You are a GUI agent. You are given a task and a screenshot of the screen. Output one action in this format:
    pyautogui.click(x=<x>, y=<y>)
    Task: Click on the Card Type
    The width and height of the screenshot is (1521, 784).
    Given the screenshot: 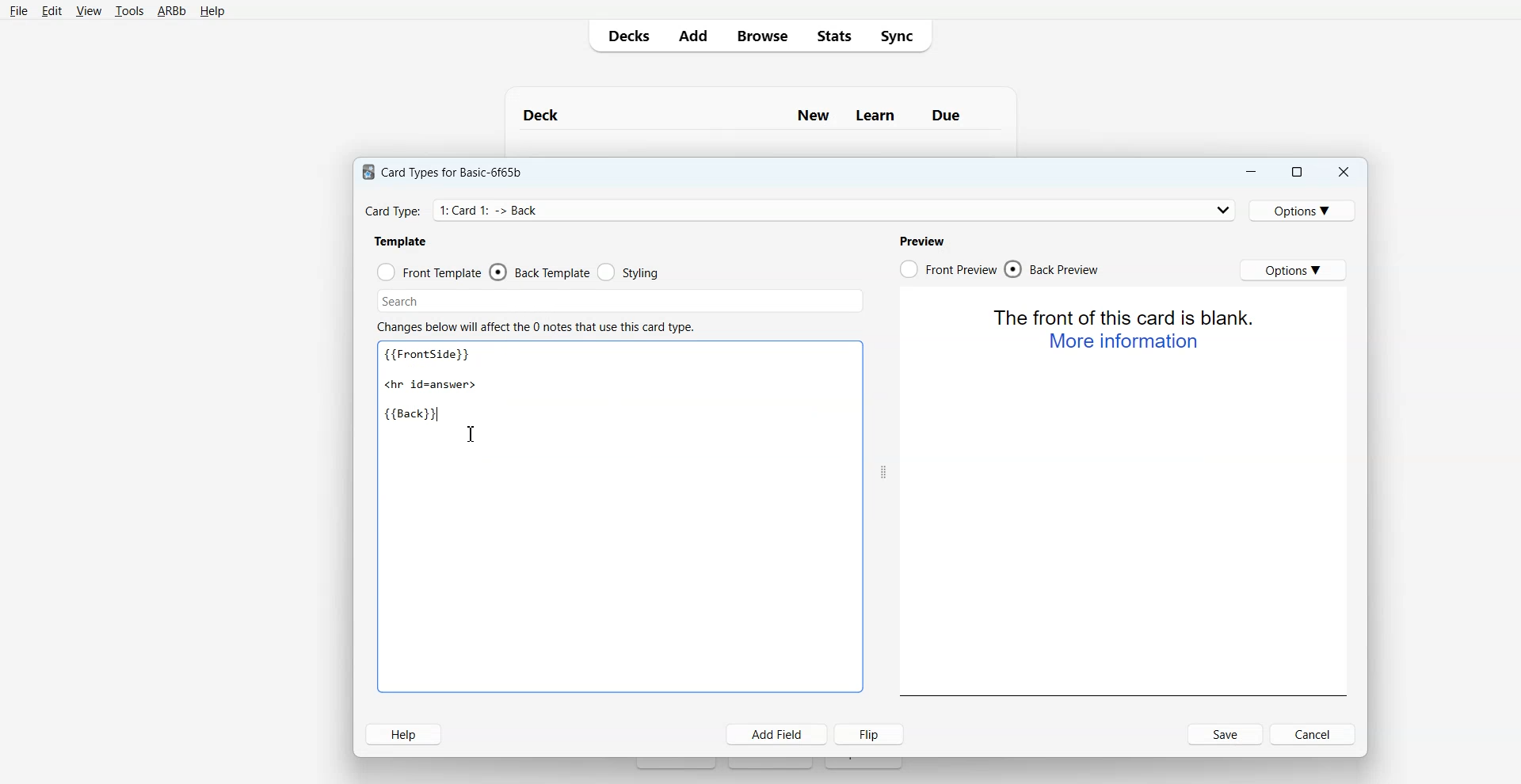 What is the action you would take?
    pyautogui.click(x=799, y=209)
    